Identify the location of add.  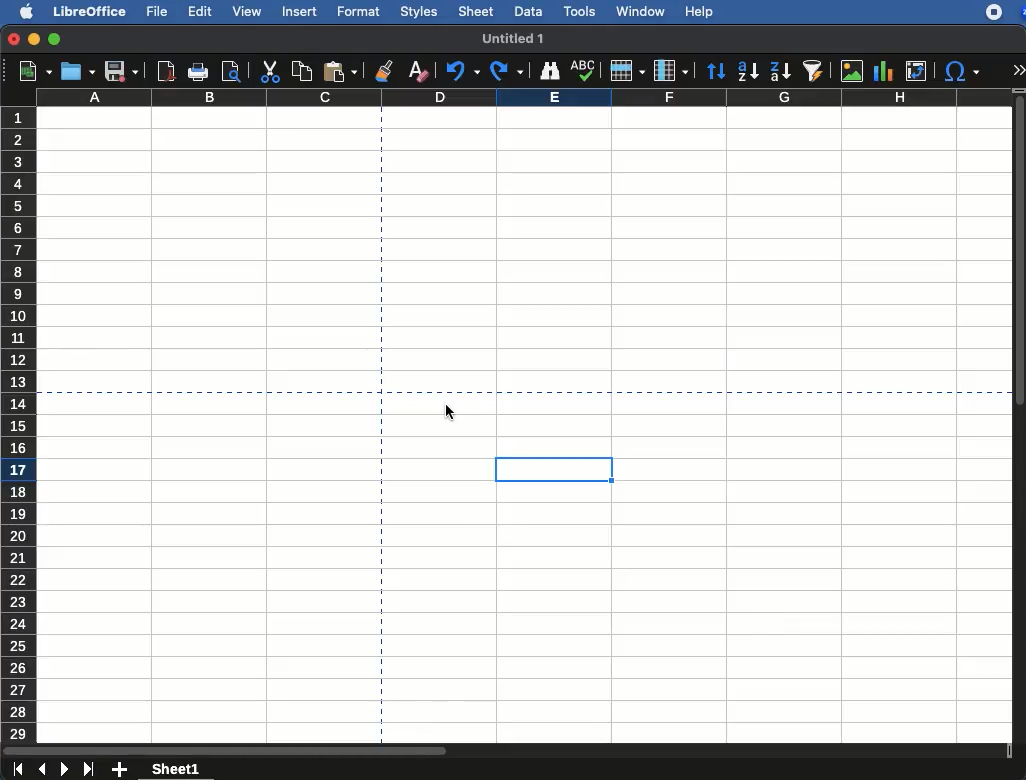
(122, 770).